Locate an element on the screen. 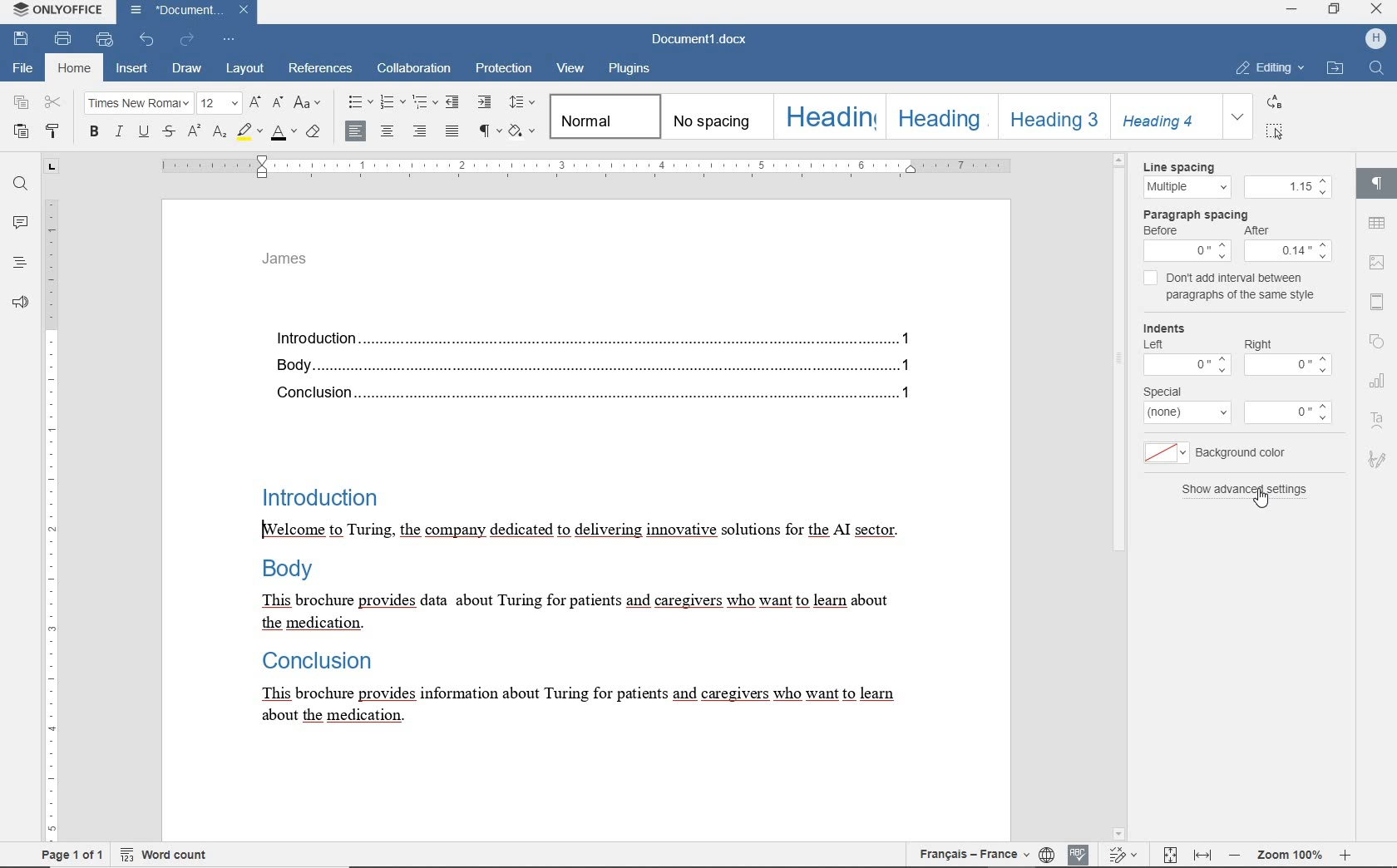  cursor is located at coordinates (1261, 501).